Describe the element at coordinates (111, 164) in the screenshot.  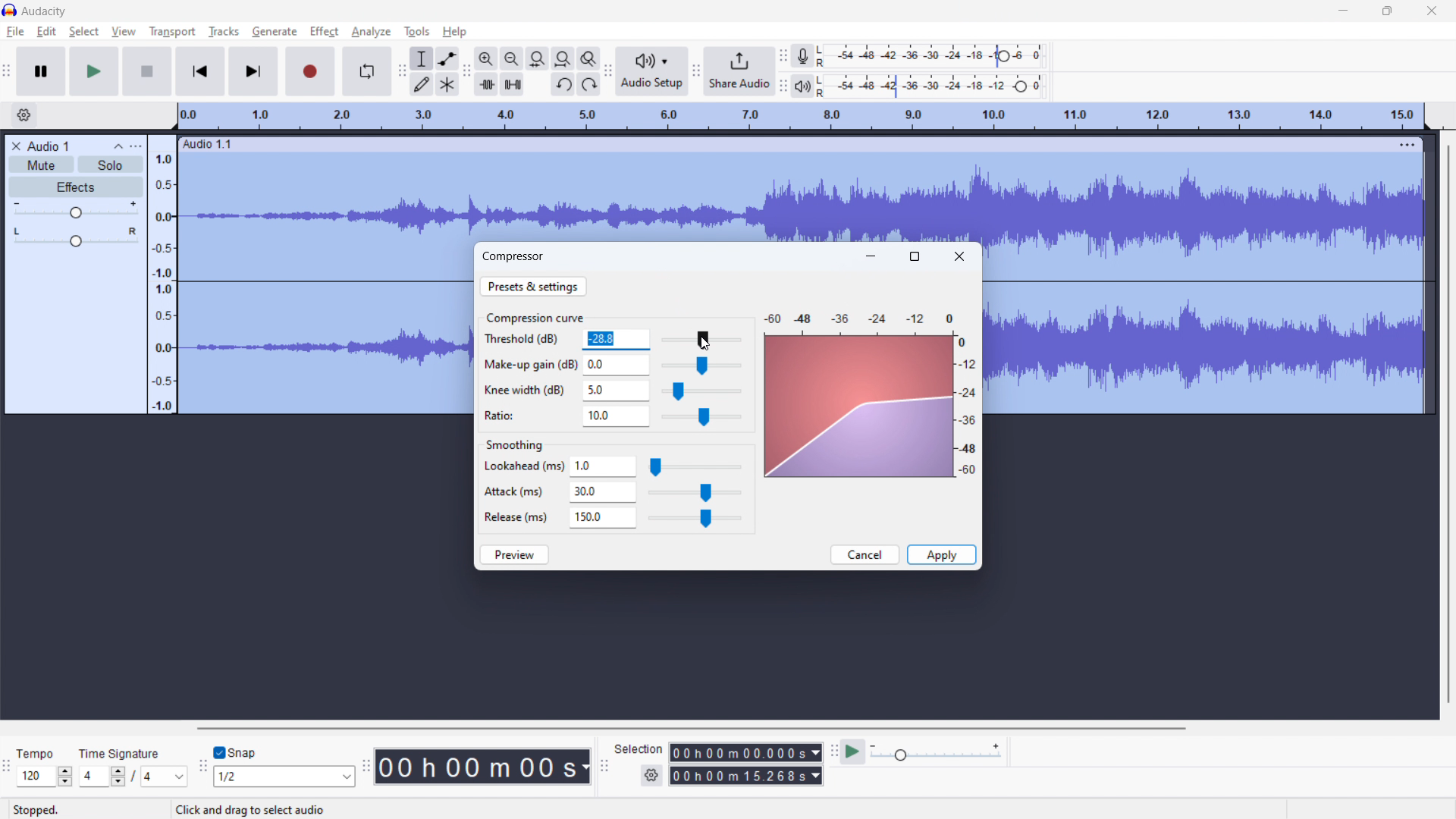
I see `solo` at that location.